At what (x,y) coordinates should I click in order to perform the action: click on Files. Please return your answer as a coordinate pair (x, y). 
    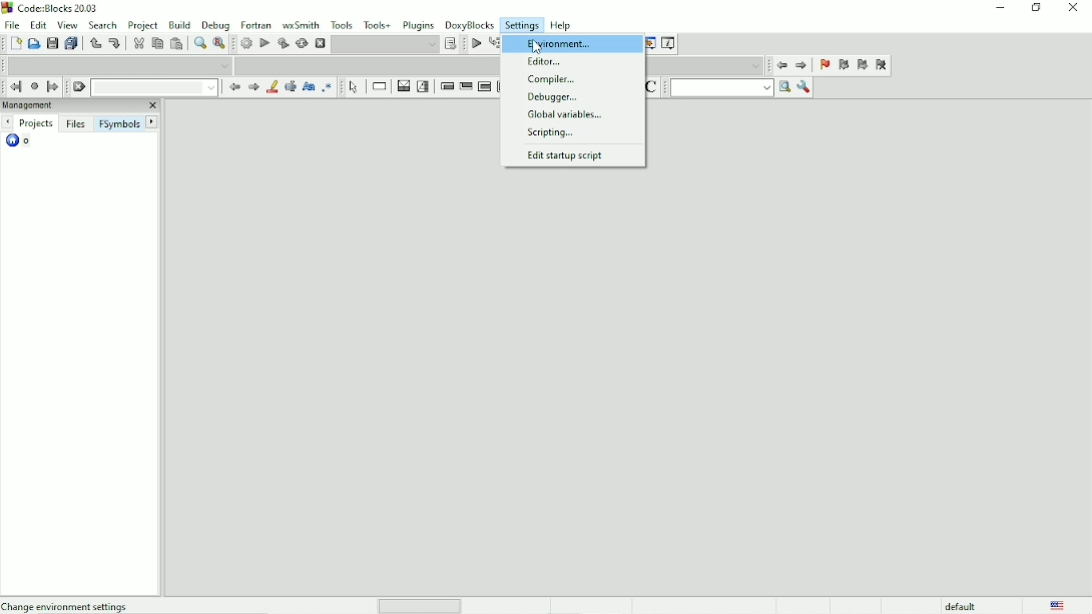
    Looking at the image, I should click on (77, 124).